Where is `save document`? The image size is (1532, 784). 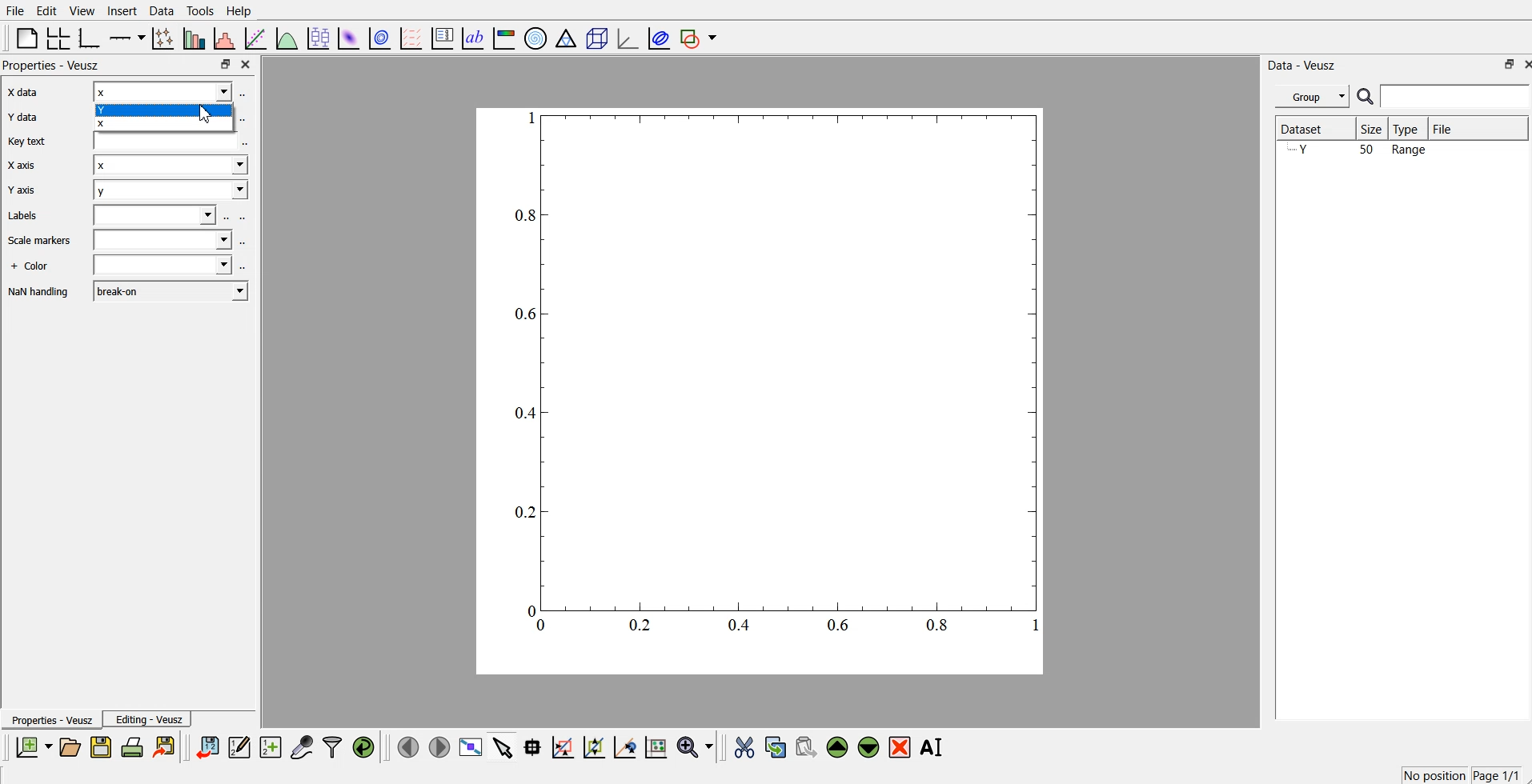
save document is located at coordinates (101, 748).